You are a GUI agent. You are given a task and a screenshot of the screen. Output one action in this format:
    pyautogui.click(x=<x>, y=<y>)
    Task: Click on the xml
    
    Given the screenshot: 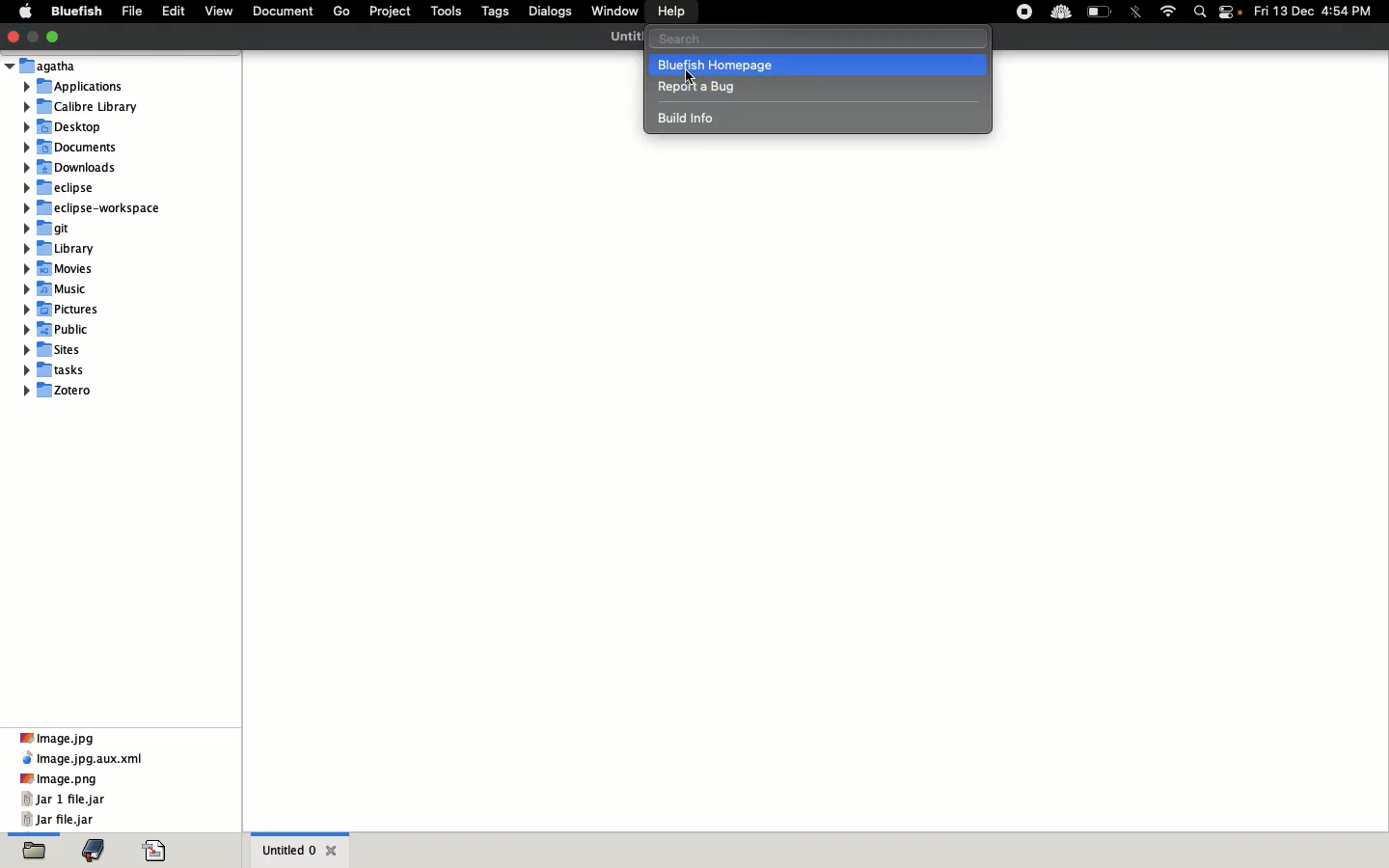 What is the action you would take?
    pyautogui.click(x=85, y=760)
    